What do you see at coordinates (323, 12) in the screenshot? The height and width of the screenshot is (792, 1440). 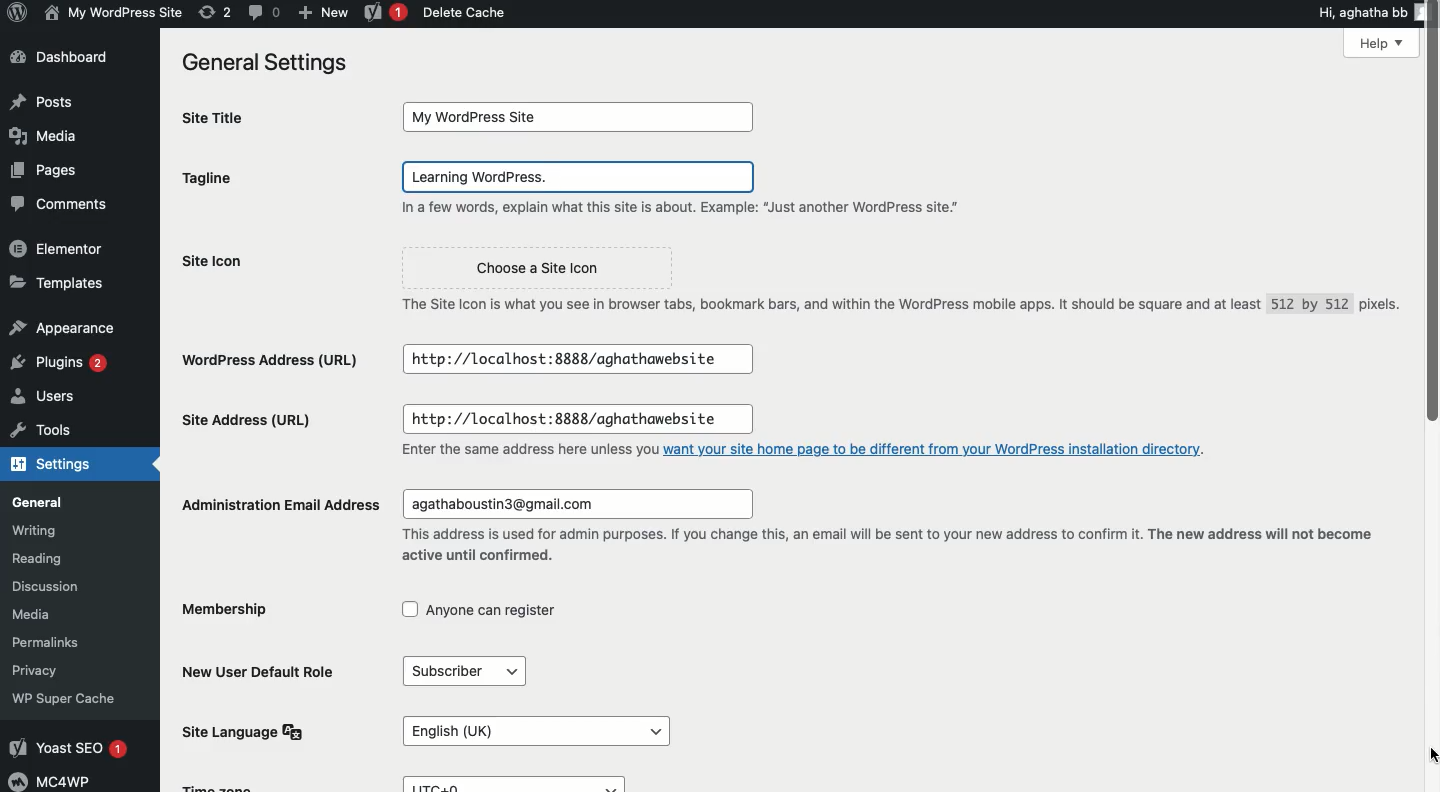 I see `New` at bounding box center [323, 12].